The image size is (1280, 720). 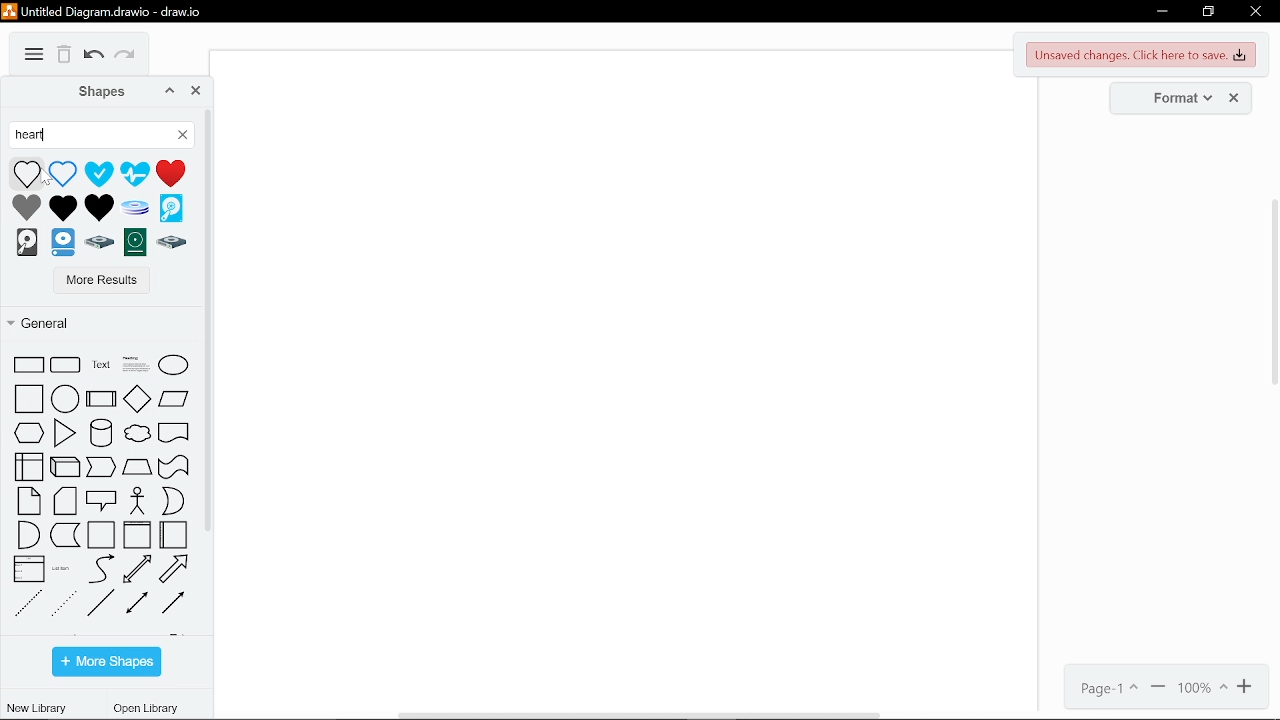 What do you see at coordinates (170, 243) in the screenshot?
I see `Hard drive` at bounding box center [170, 243].